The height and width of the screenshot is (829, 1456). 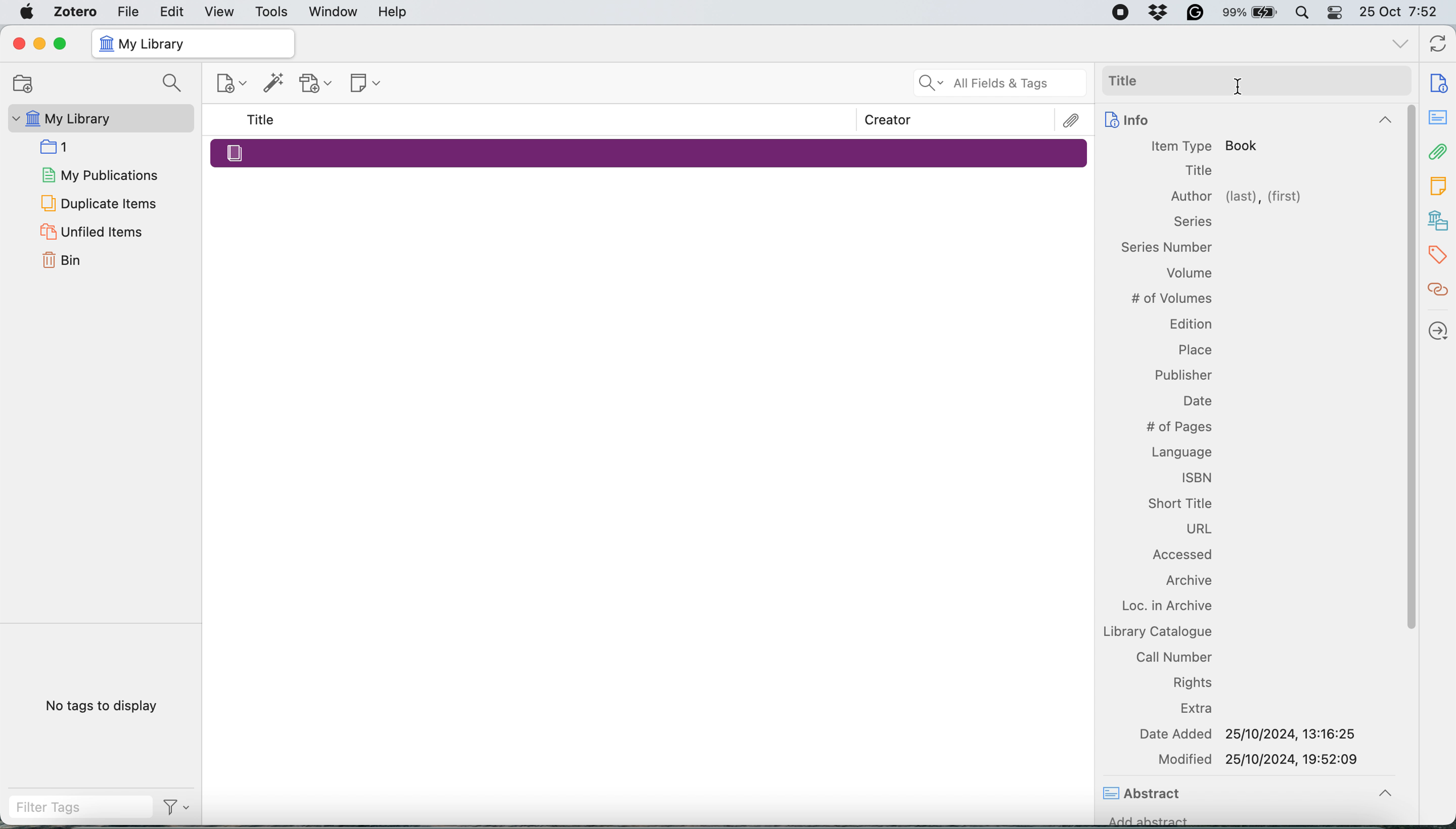 What do you see at coordinates (80, 807) in the screenshot?
I see `Filter Tags` at bounding box center [80, 807].